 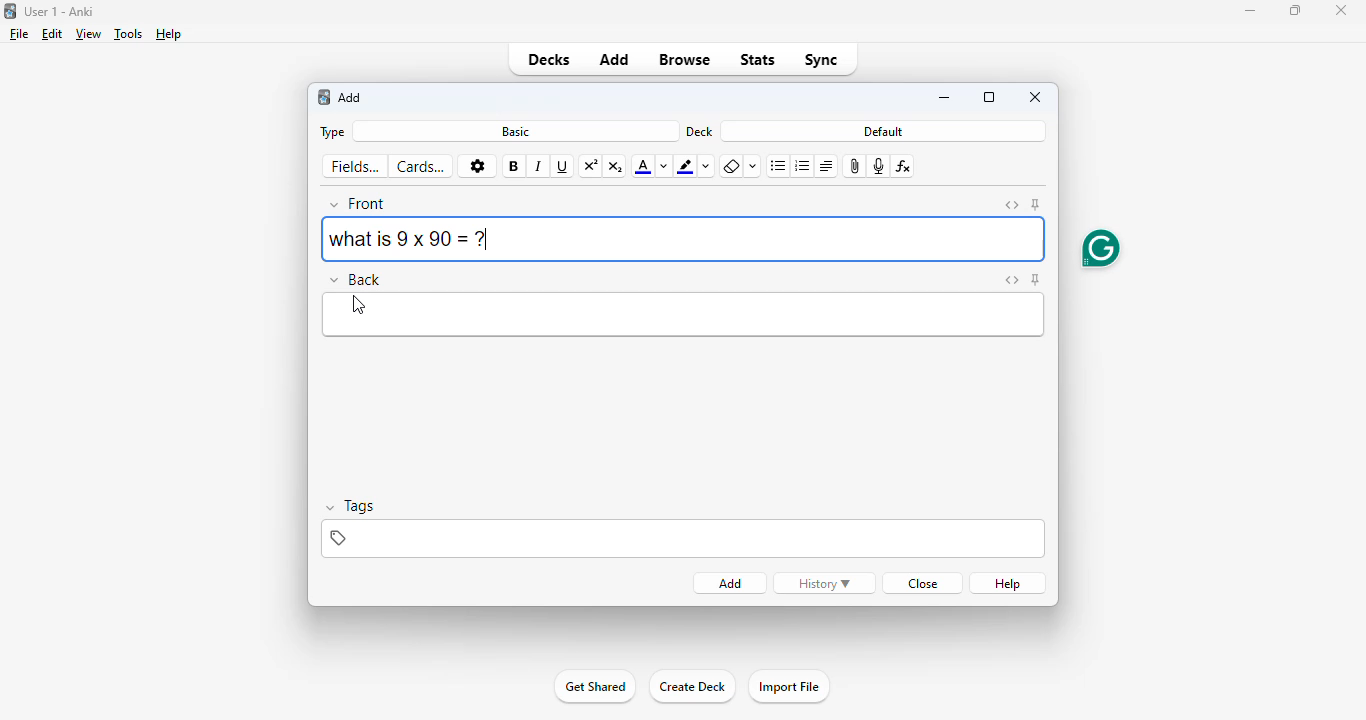 What do you see at coordinates (330, 132) in the screenshot?
I see `type` at bounding box center [330, 132].